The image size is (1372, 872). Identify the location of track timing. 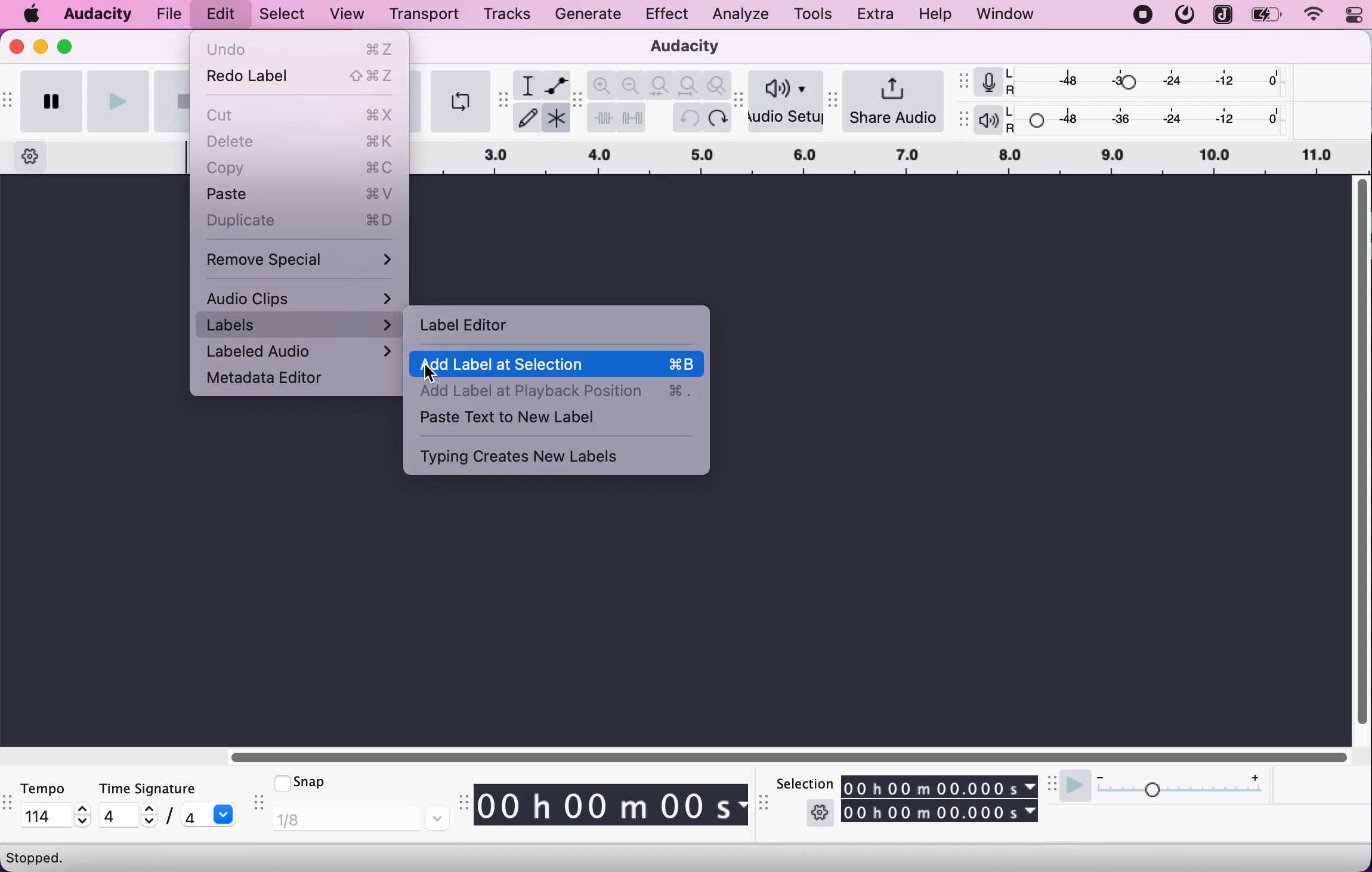
(611, 805).